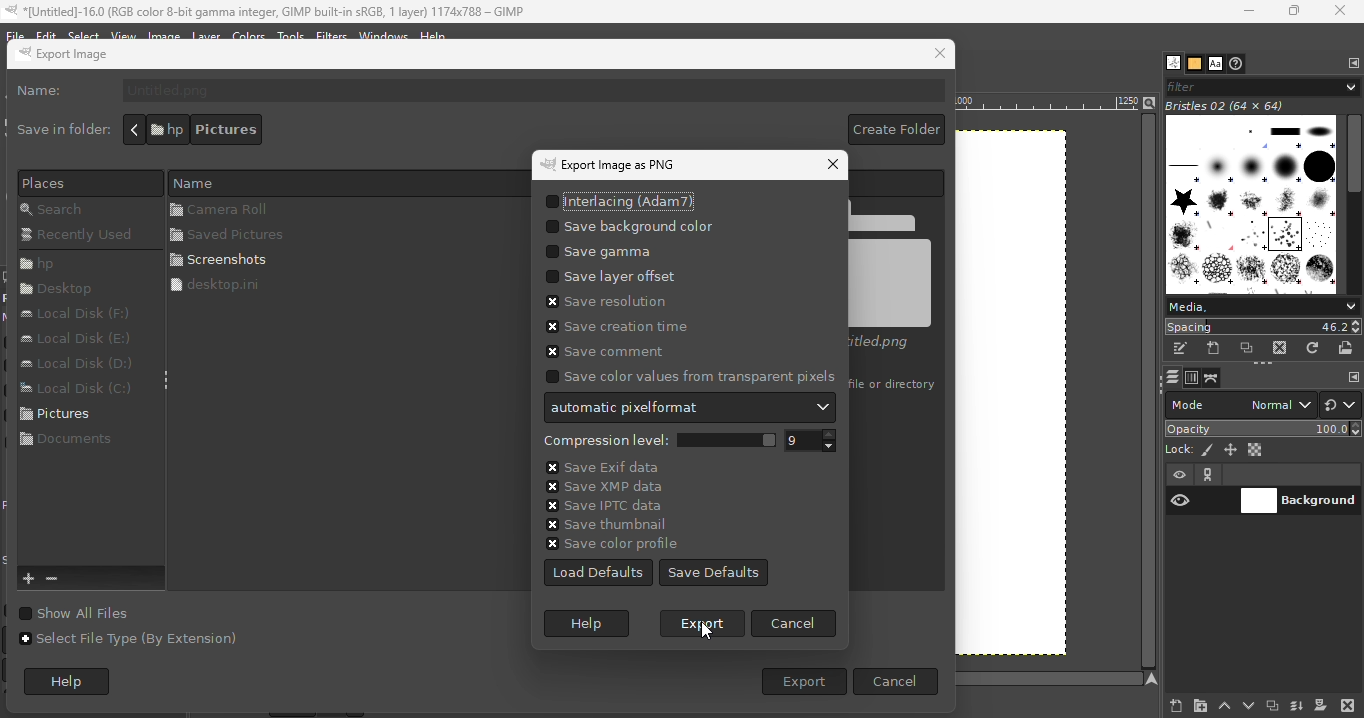 The image size is (1364, 718). What do you see at coordinates (702, 632) in the screenshot?
I see `cursor` at bounding box center [702, 632].